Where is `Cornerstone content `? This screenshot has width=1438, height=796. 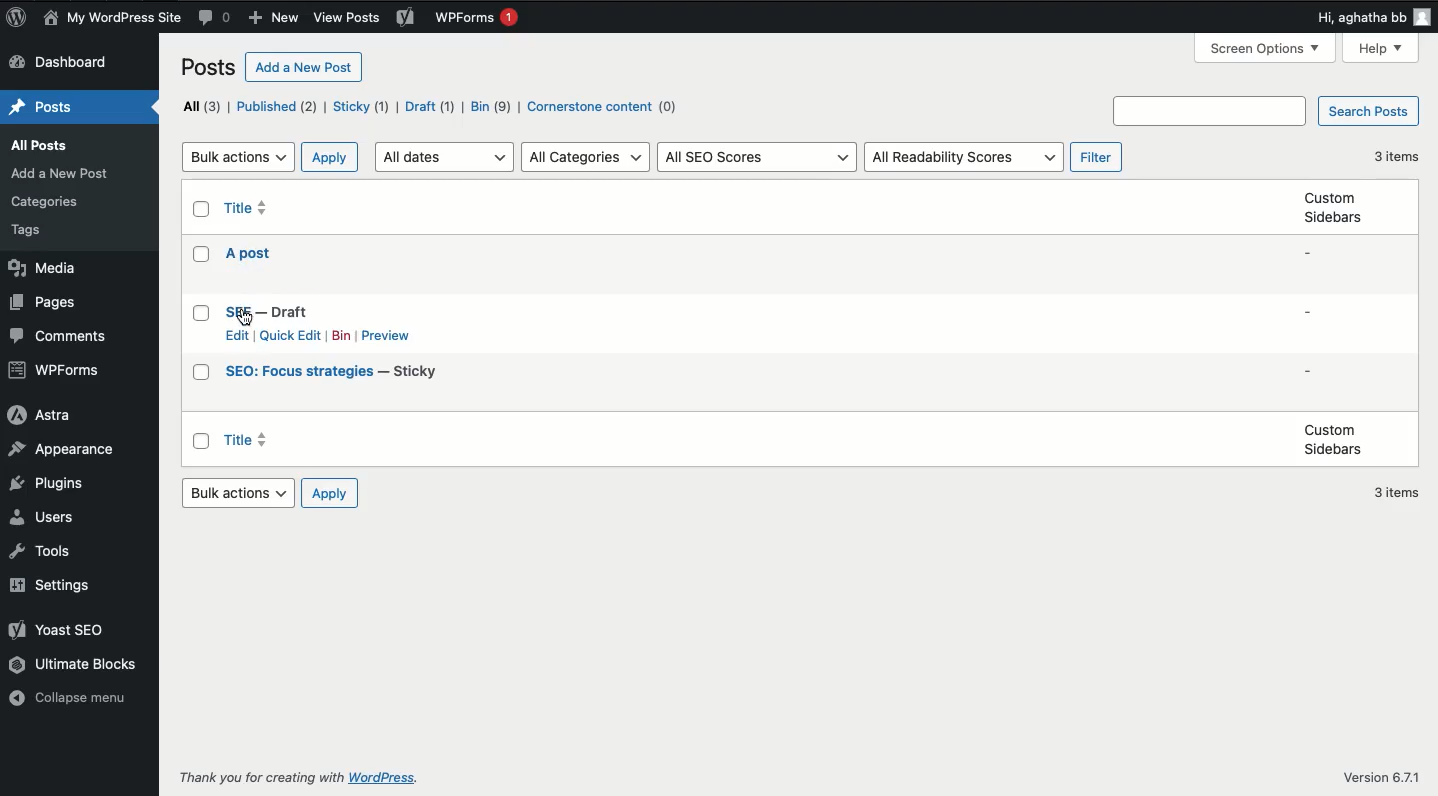
Cornerstone content  is located at coordinates (607, 106).